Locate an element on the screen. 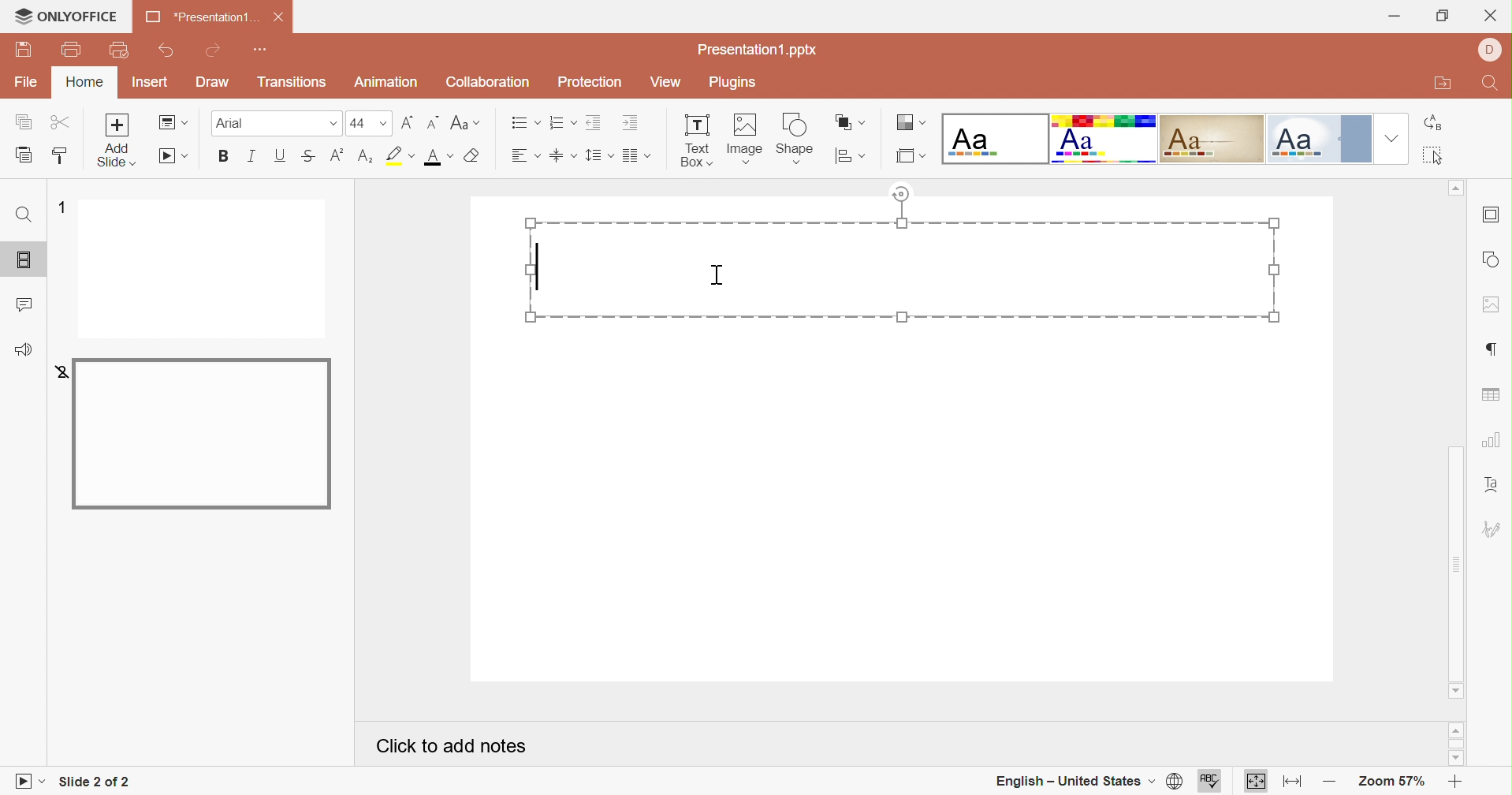 The height and width of the screenshot is (795, 1512). Add slide is located at coordinates (117, 125).